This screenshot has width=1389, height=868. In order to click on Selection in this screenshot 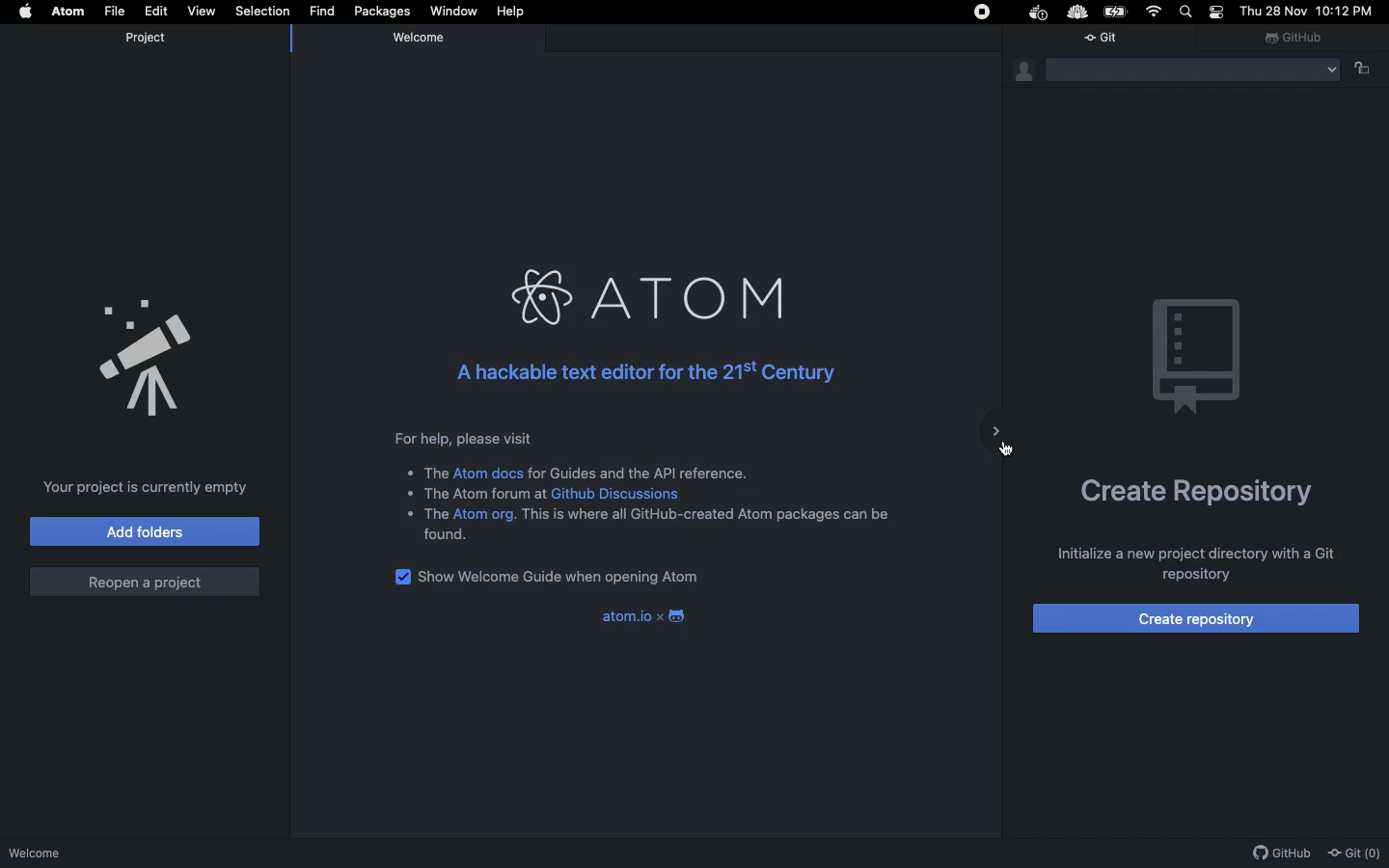, I will do `click(262, 11)`.